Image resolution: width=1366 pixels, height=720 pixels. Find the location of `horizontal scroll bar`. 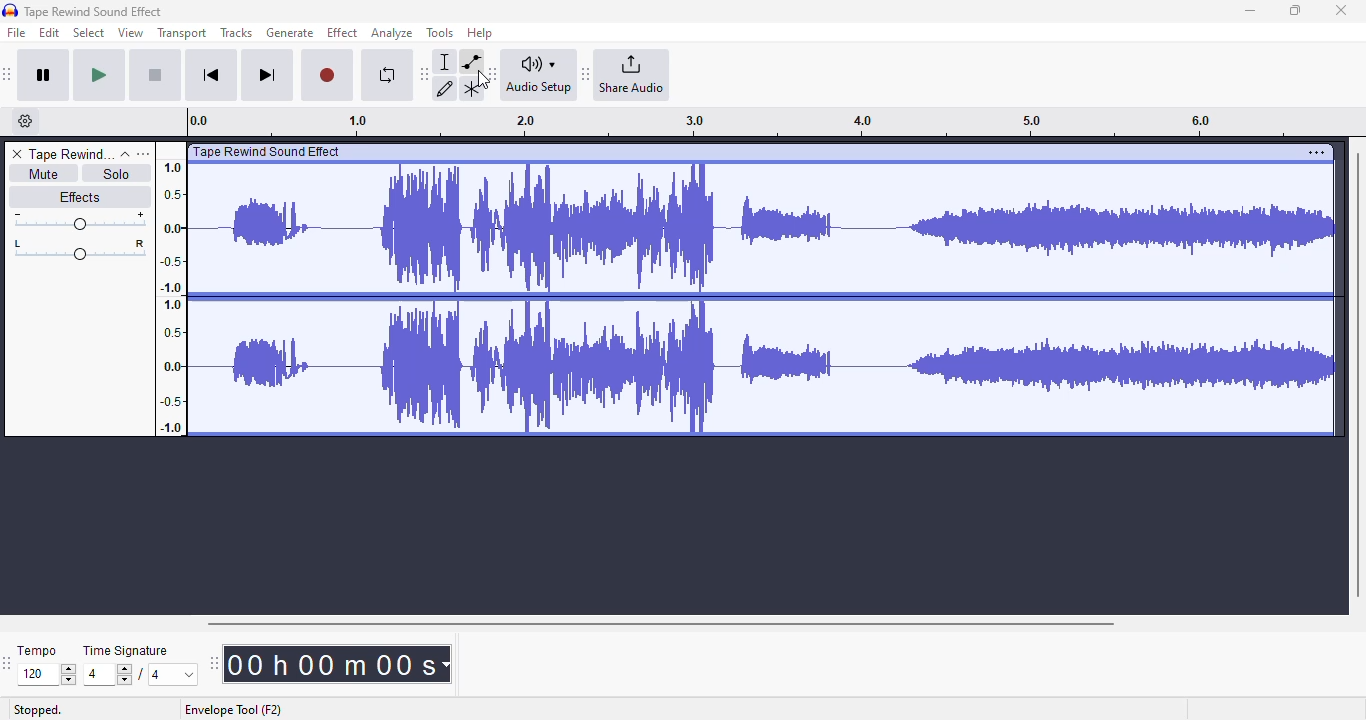

horizontal scroll bar is located at coordinates (660, 623).